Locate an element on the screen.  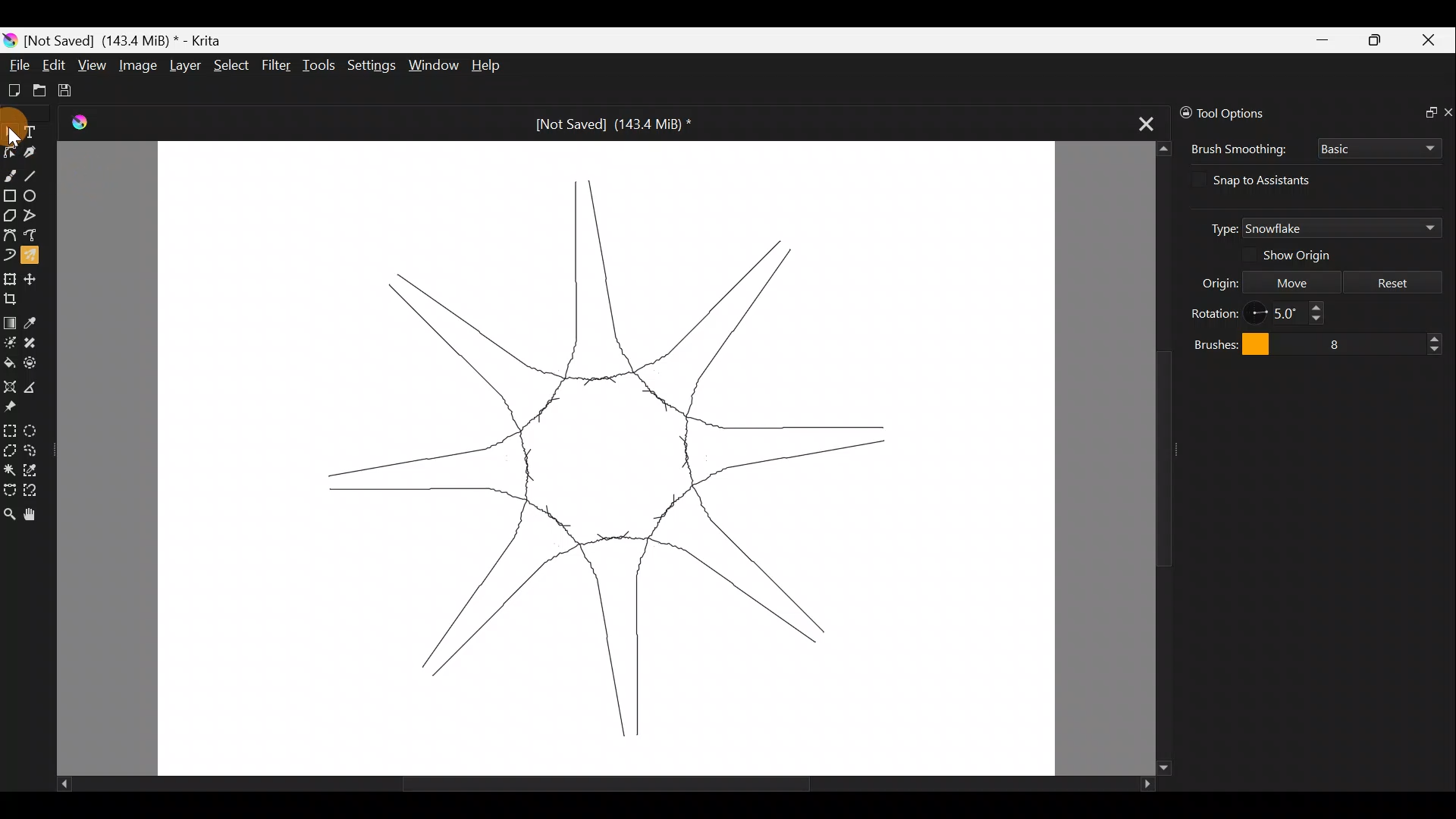
Minimize is located at coordinates (1320, 40).